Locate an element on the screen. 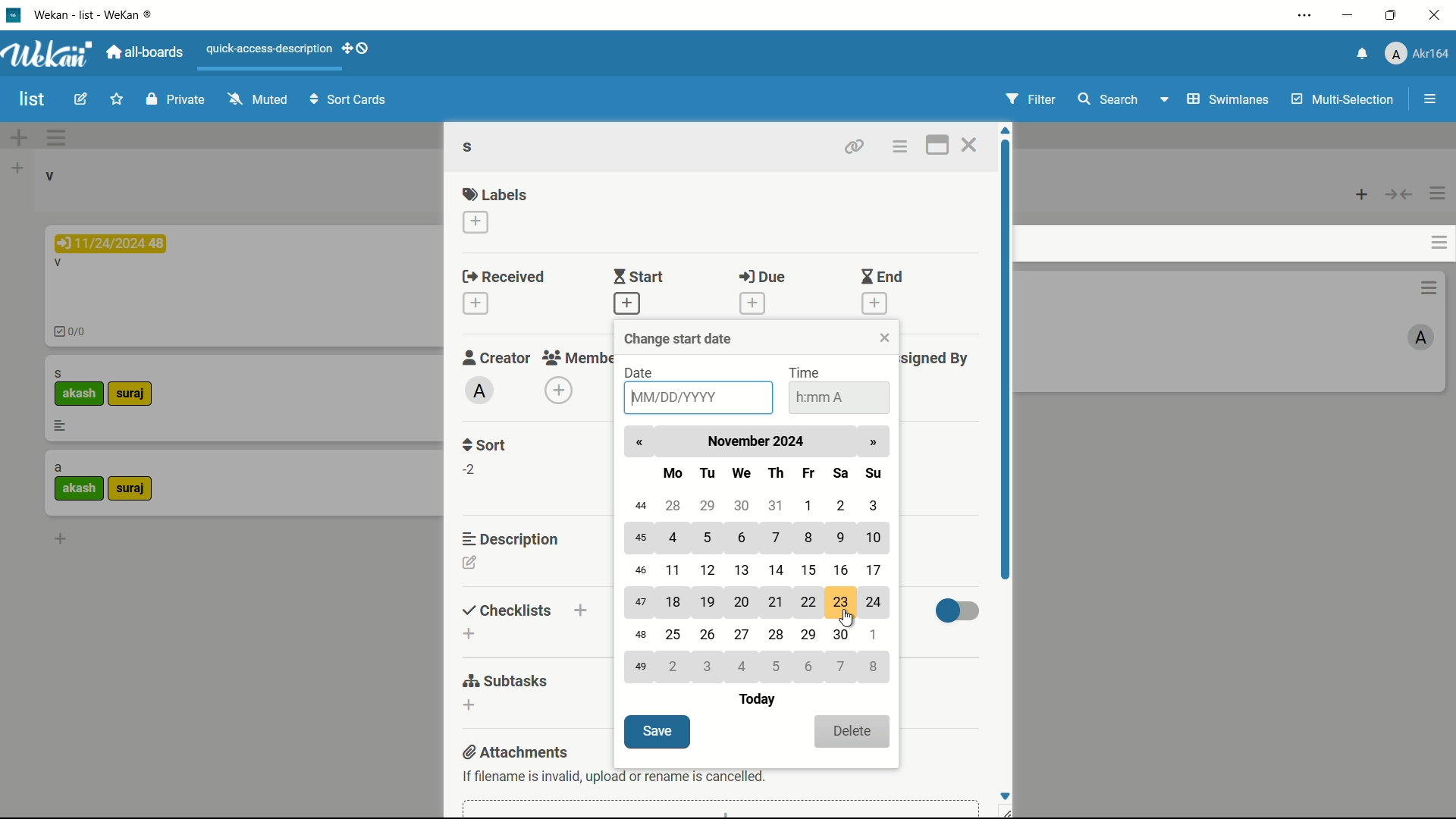  Scroll up is located at coordinates (1004, 129).